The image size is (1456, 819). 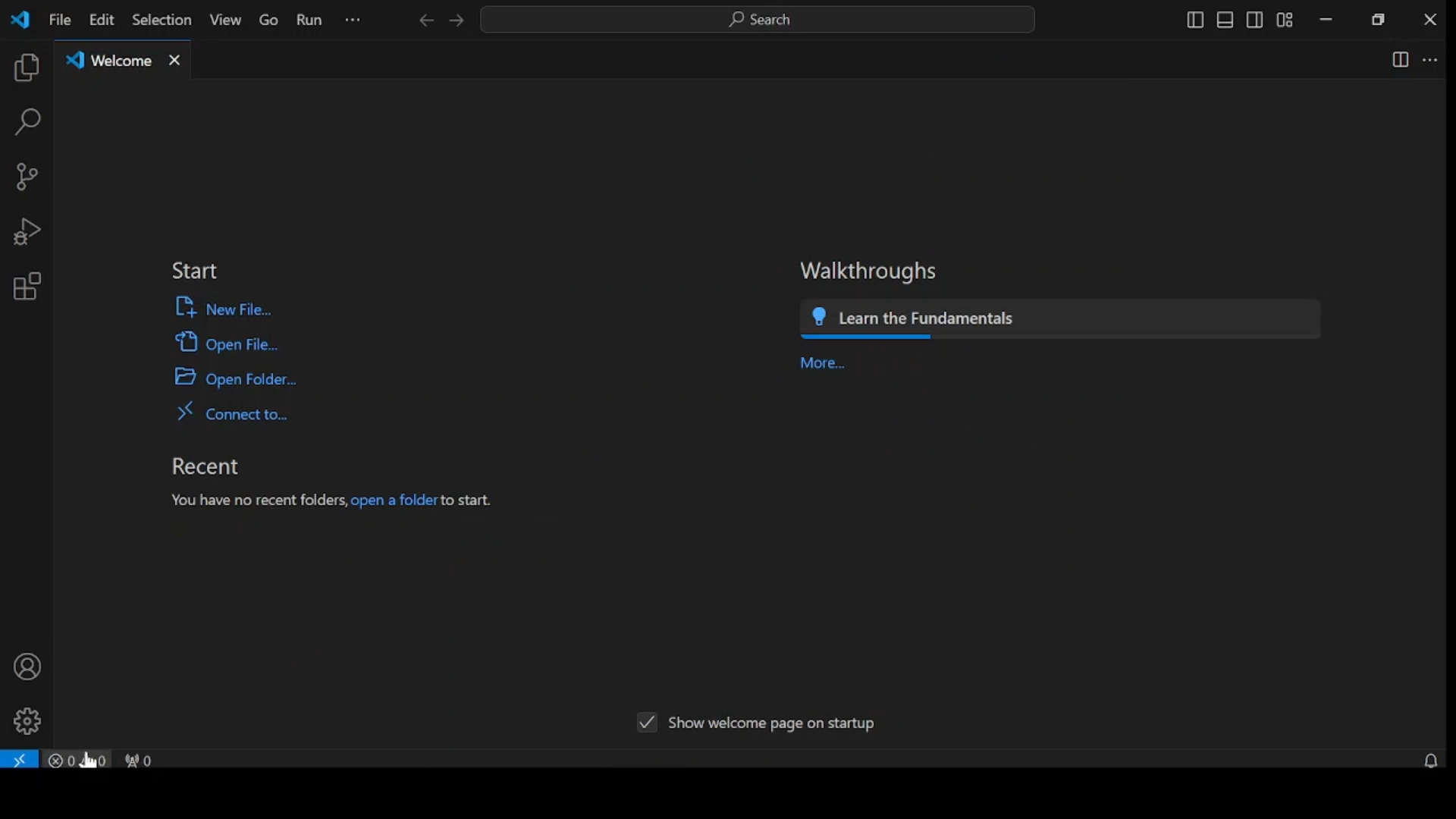 What do you see at coordinates (236, 377) in the screenshot?
I see `open a folder` at bounding box center [236, 377].